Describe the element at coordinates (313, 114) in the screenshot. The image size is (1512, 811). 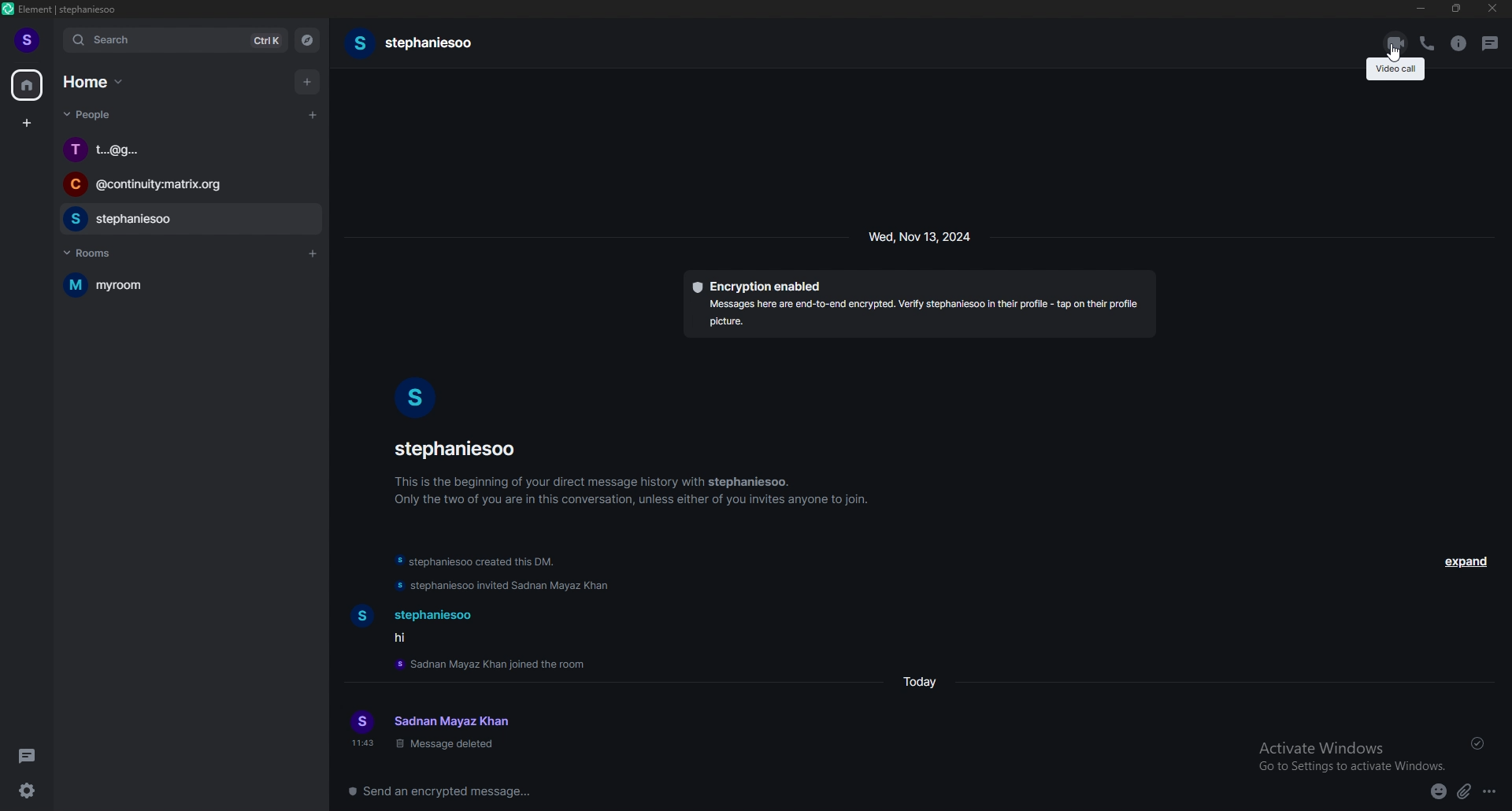
I see `start chat` at that location.